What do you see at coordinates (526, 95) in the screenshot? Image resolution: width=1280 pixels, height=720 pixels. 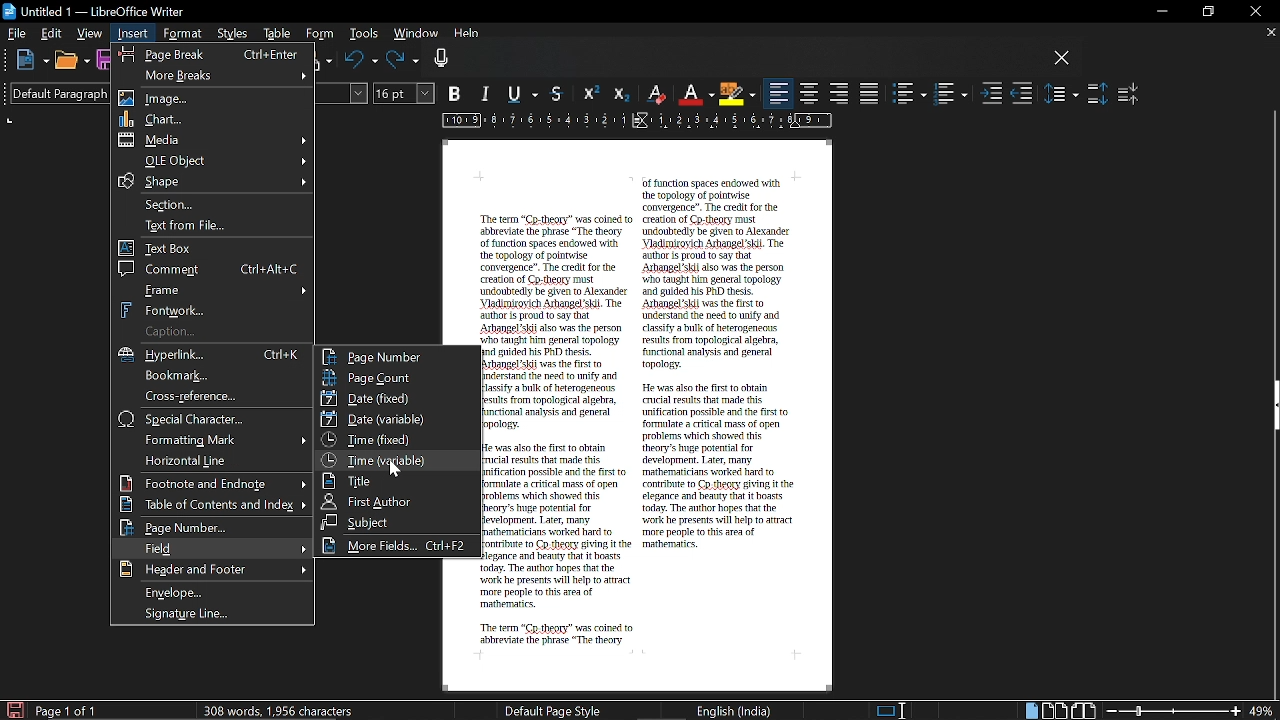 I see `Underline` at bounding box center [526, 95].